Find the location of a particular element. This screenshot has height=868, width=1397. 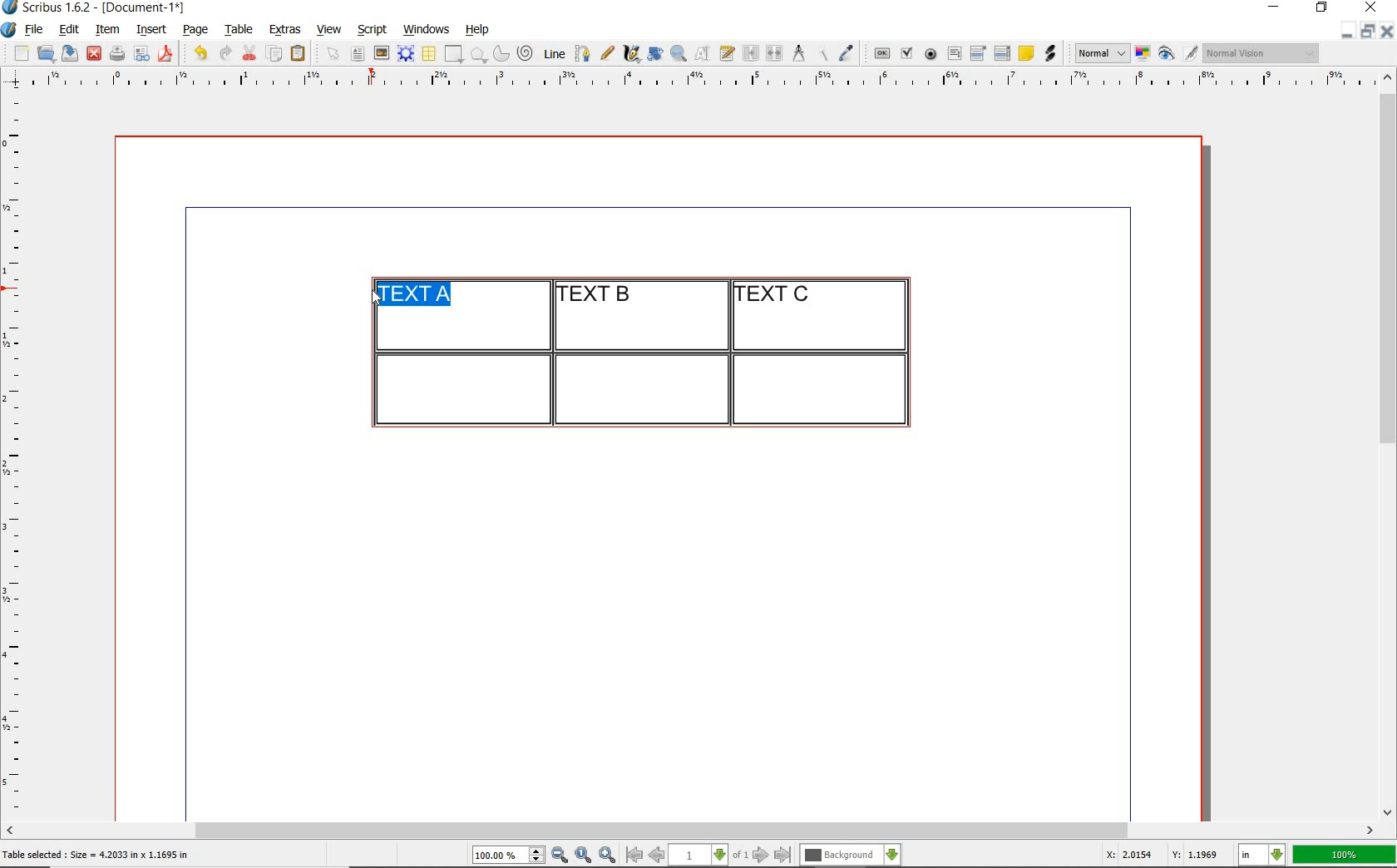

scrollbar is located at coordinates (690, 832).